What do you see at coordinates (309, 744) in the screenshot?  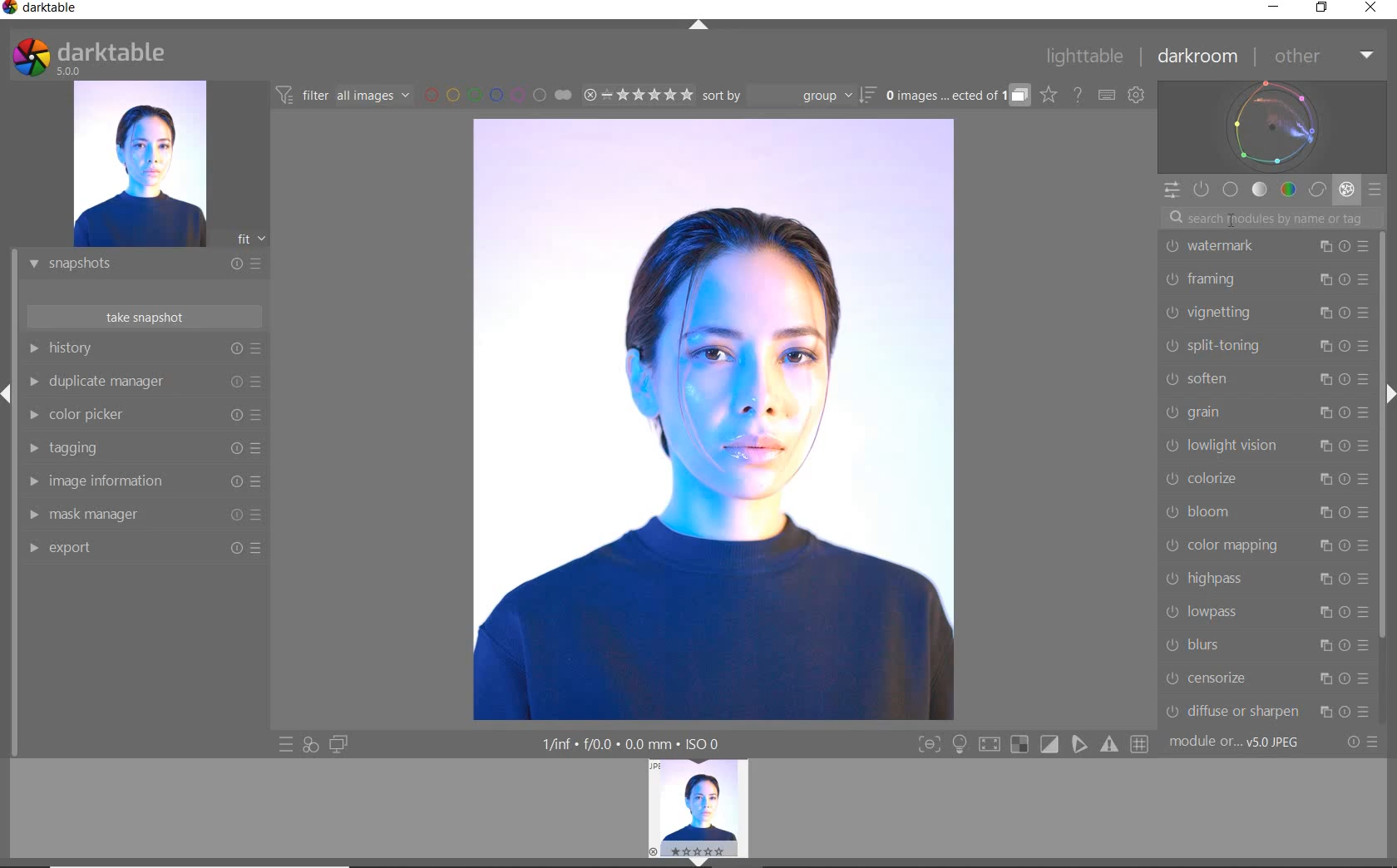 I see `QUICK ACCESS FOR APPLYING ANY OF YOUR STYLES` at bounding box center [309, 744].